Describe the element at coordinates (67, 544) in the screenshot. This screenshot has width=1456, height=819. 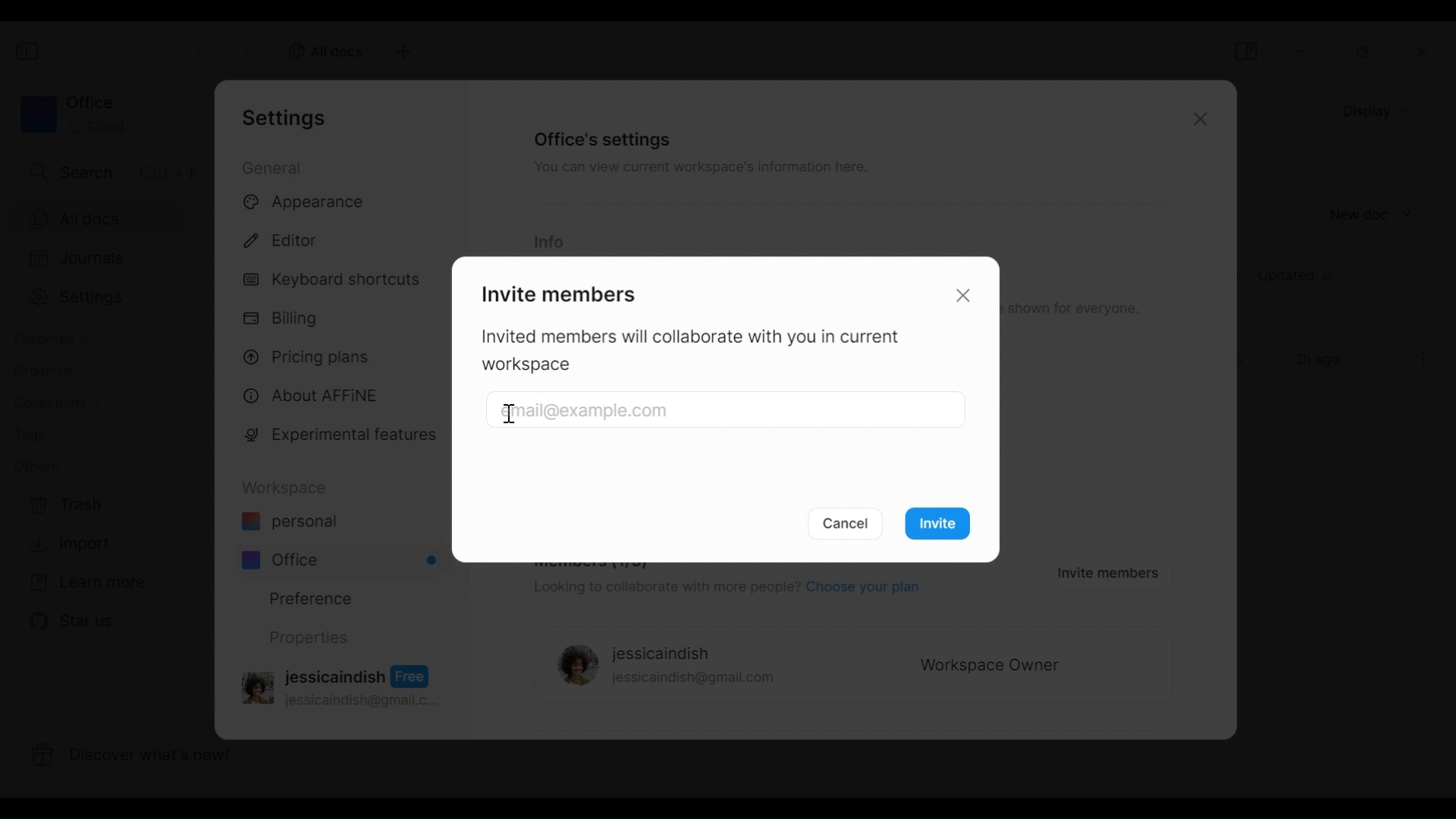
I see `Import` at that location.